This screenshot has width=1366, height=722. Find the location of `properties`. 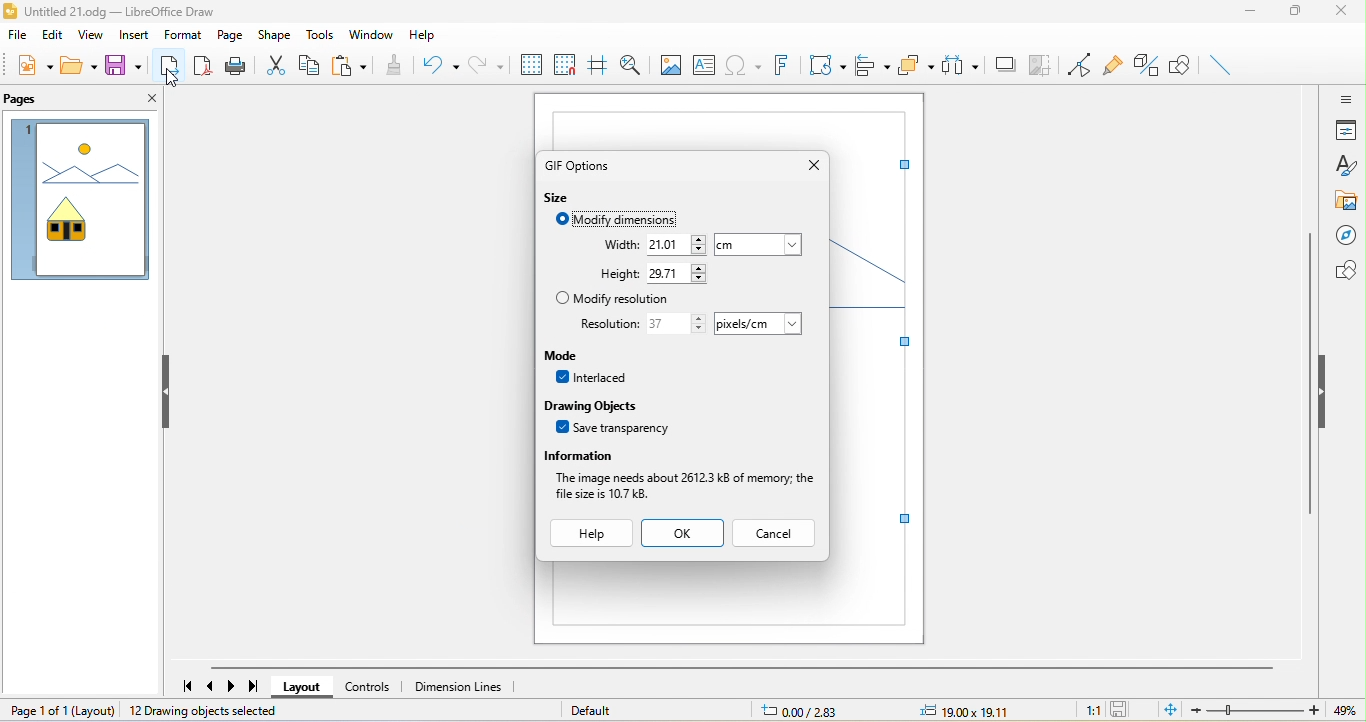

properties is located at coordinates (1345, 130).